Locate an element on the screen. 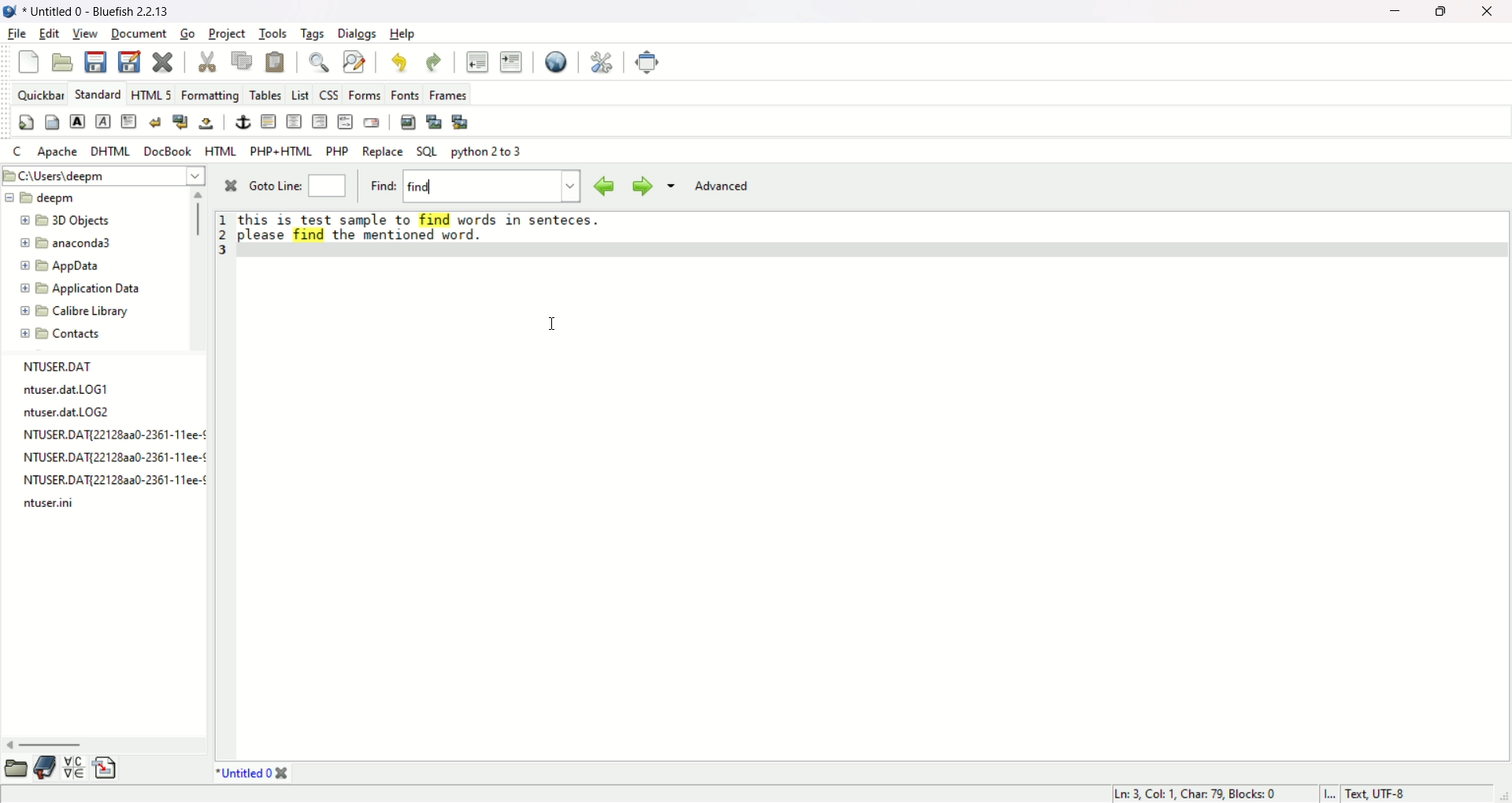 This screenshot has height=803, width=1512. copy is located at coordinates (243, 60).